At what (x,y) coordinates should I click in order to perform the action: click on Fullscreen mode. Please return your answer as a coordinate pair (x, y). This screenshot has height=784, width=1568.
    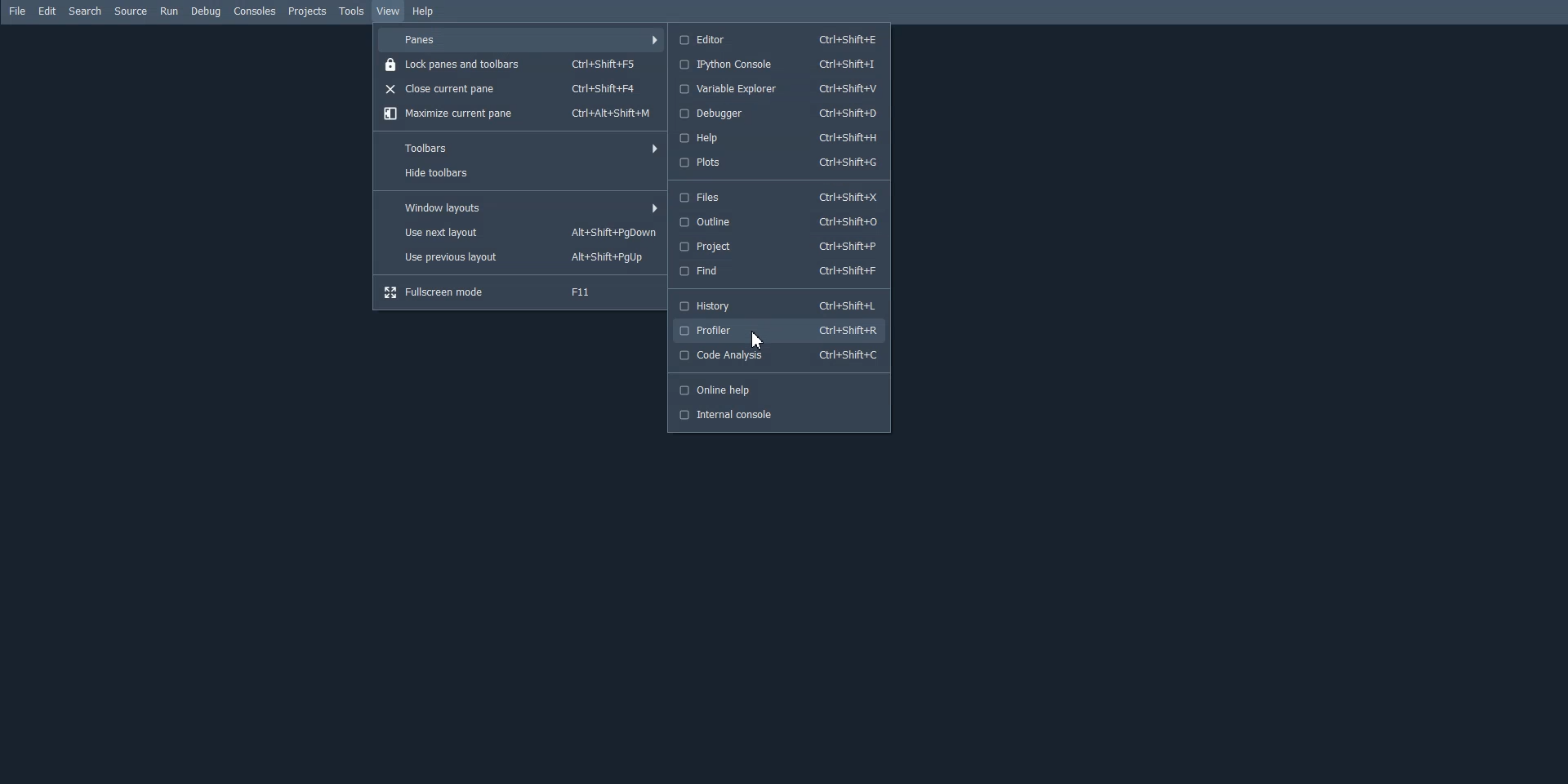
    Looking at the image, I should click on (521, 292).